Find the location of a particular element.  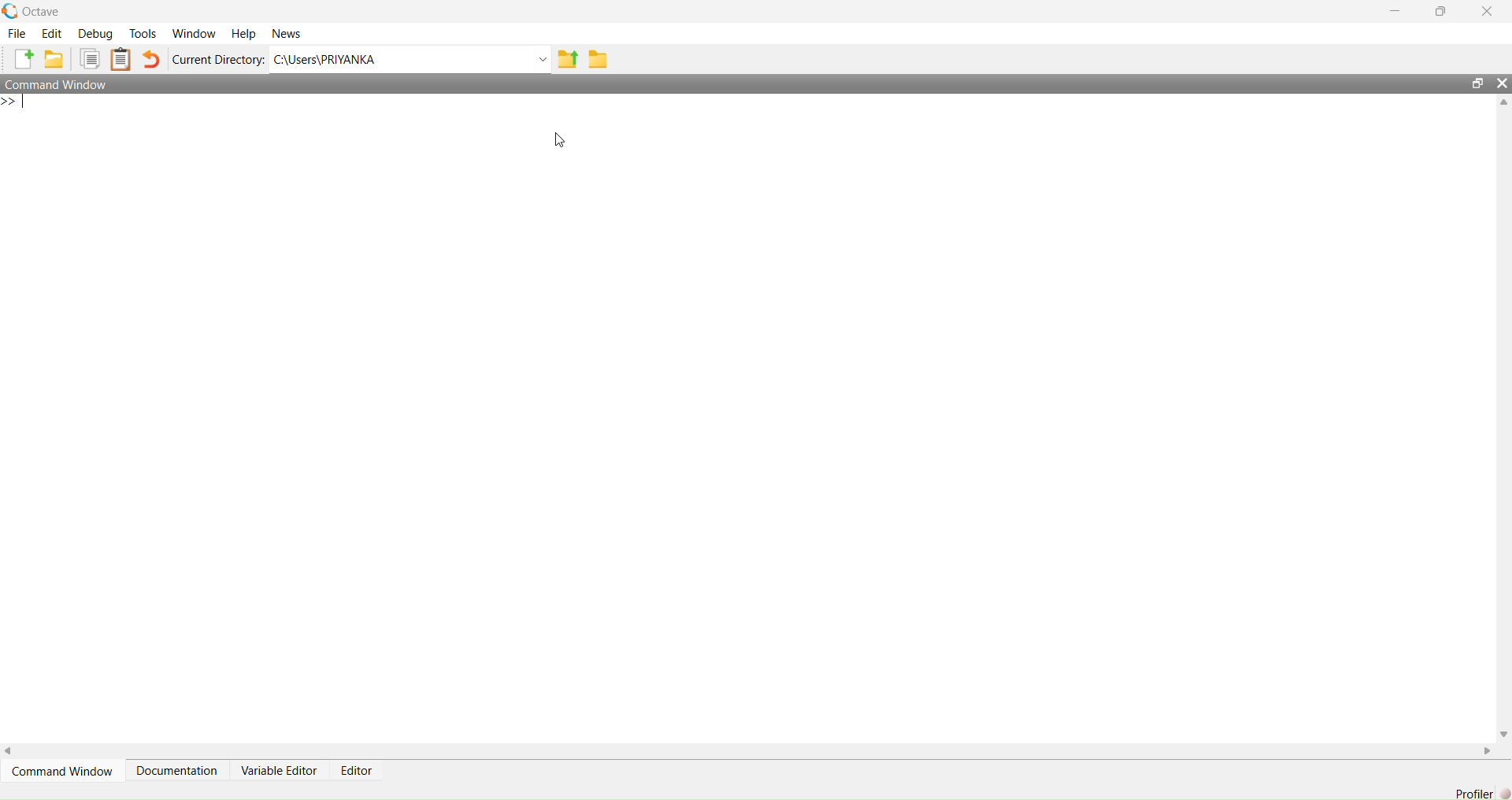

Edit is located at coordinates (52, 33).